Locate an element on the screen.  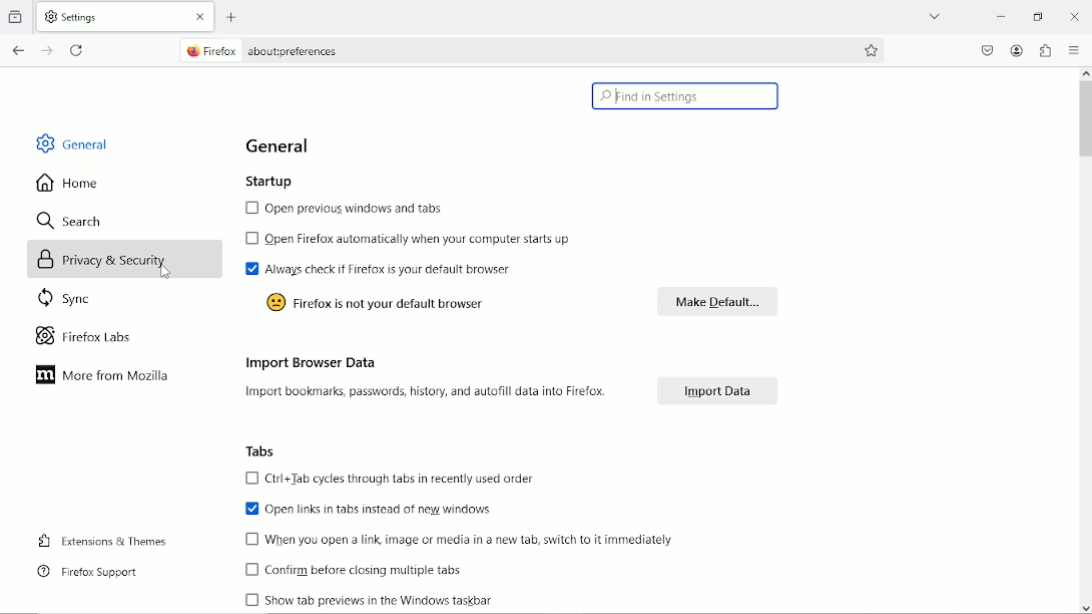
save to pocket is located at coordinates (987, 50).